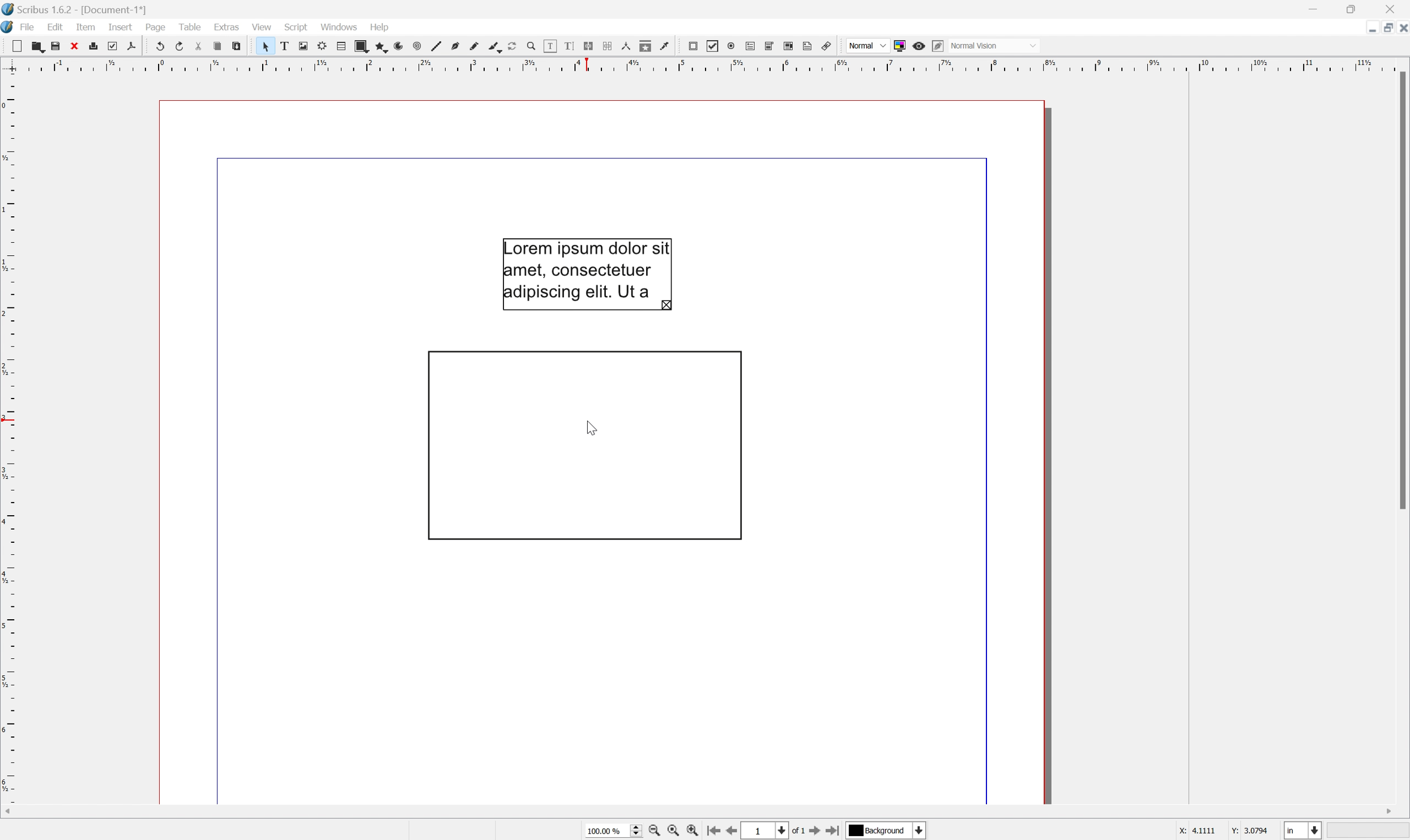 This screenshot has width=1410, height=840. I want to click on Rotate item, so click(516, 46).